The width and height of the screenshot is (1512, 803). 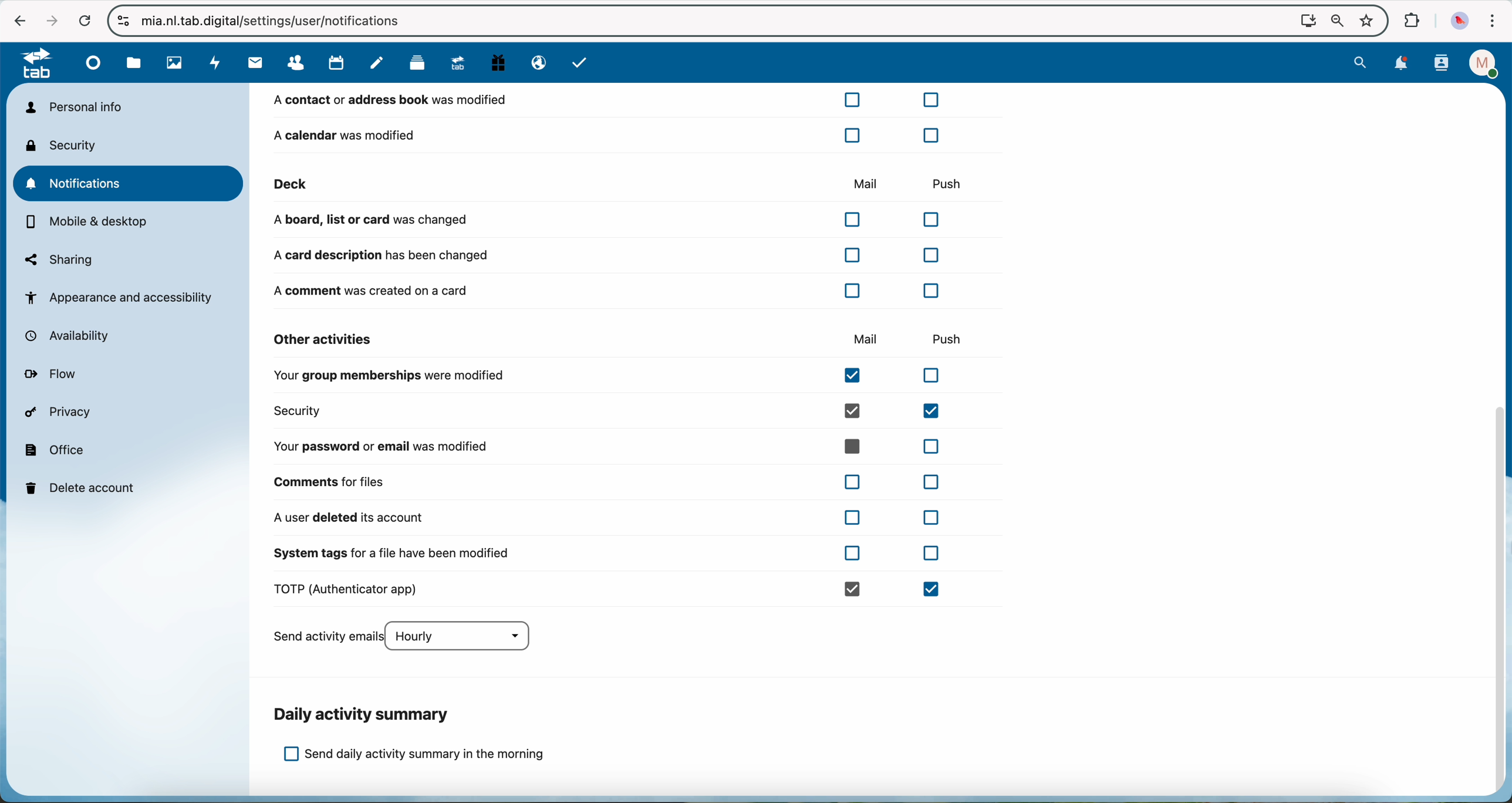 I want to click on delete account, so click(x=83, y=487).